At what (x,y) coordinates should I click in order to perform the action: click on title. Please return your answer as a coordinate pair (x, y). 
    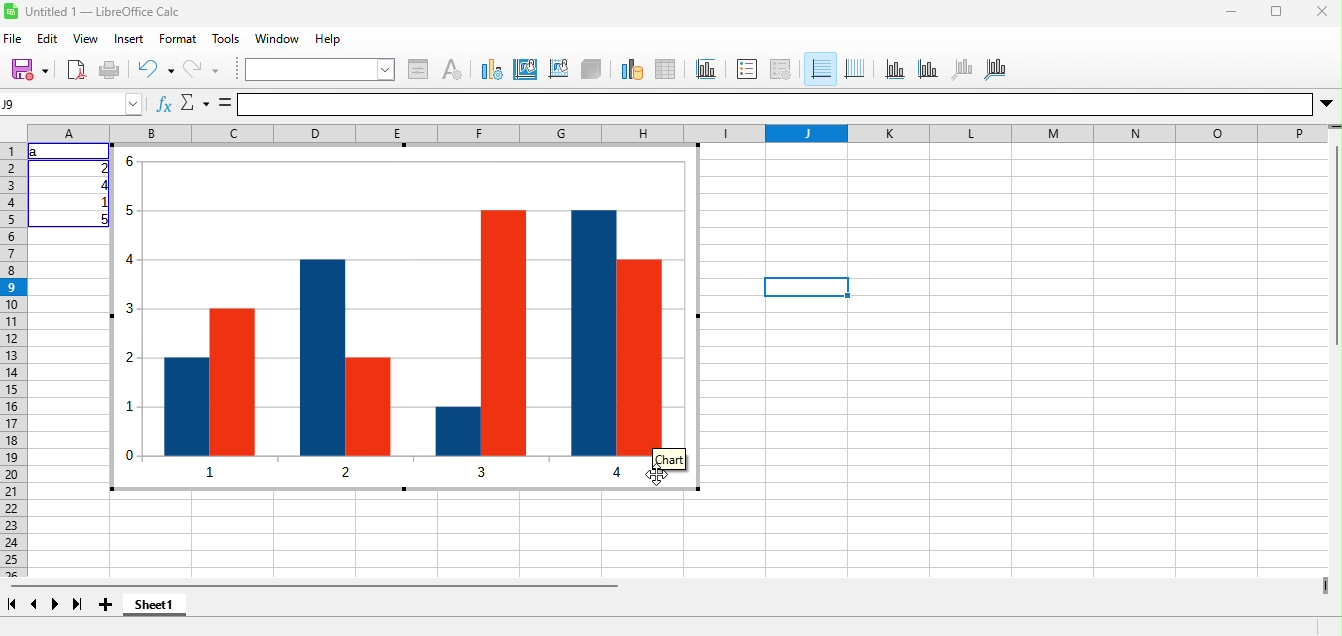
    Looking at the image, I should click on (706, 70).